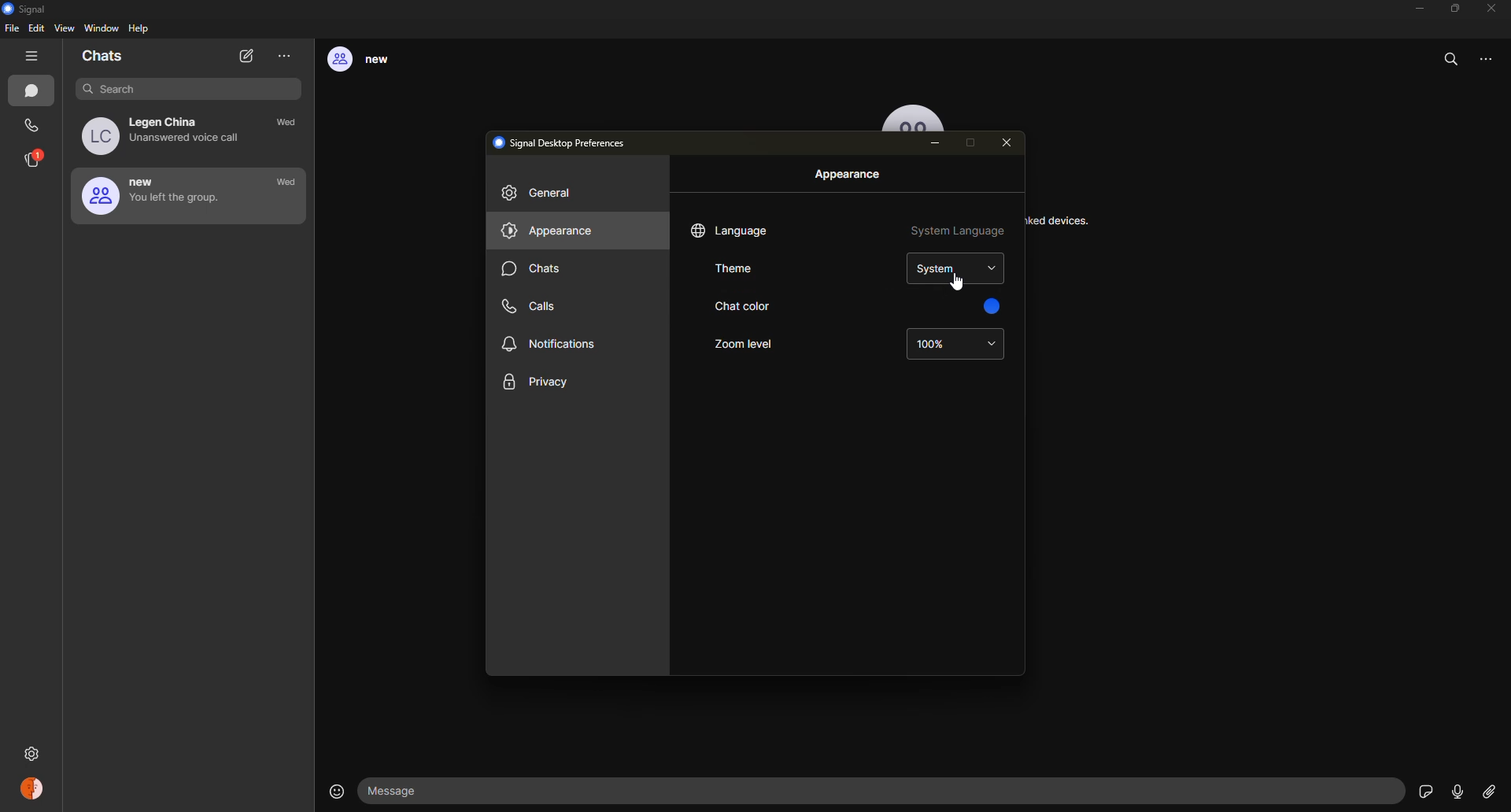 The image size is (1511, 812). What do you see at coordinates (534, 271) in the screenshot?
I see `chats` at bounding box center [534, 271].